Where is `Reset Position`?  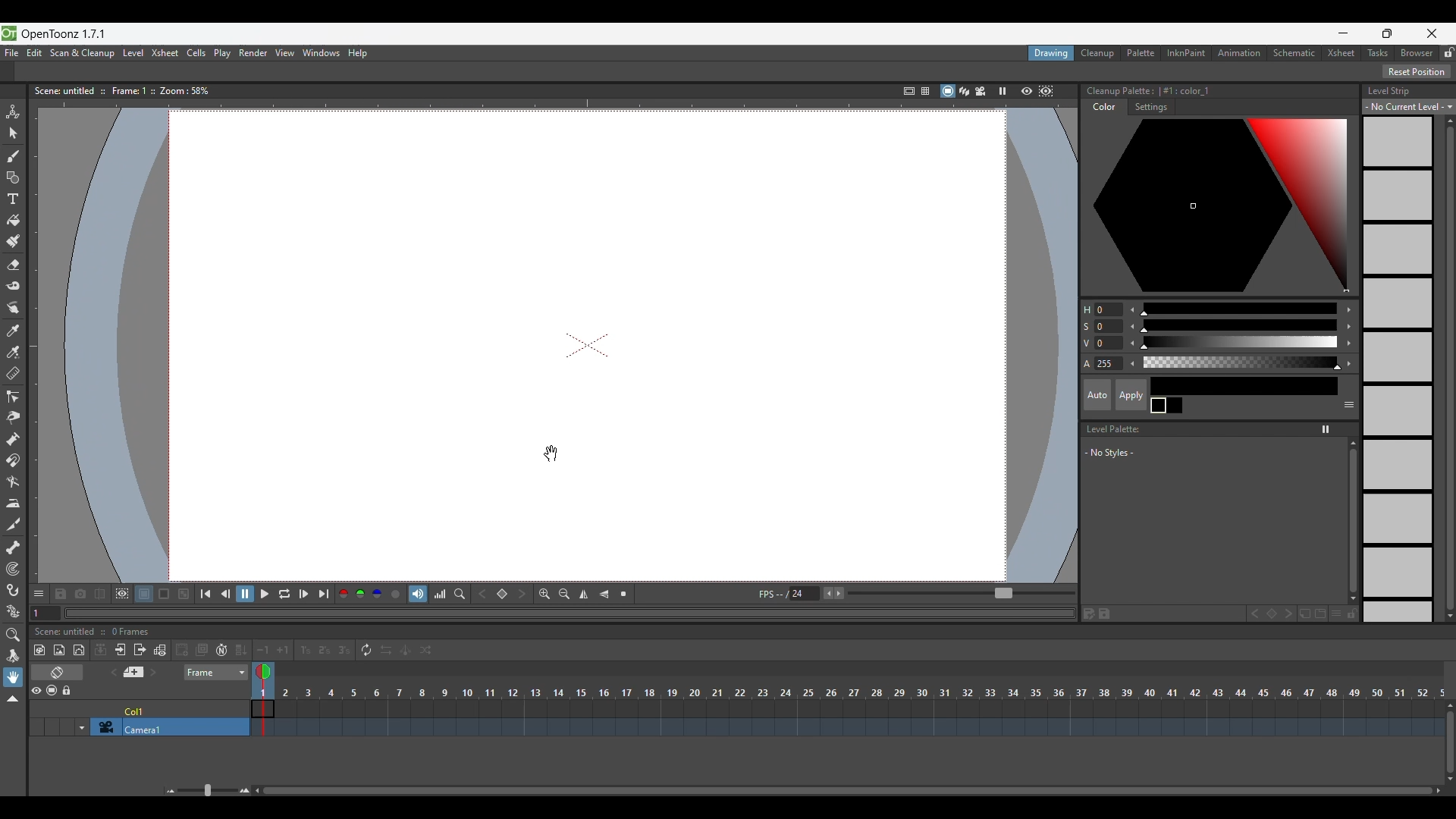 Reset Position is located at coordinates (1417, 72).